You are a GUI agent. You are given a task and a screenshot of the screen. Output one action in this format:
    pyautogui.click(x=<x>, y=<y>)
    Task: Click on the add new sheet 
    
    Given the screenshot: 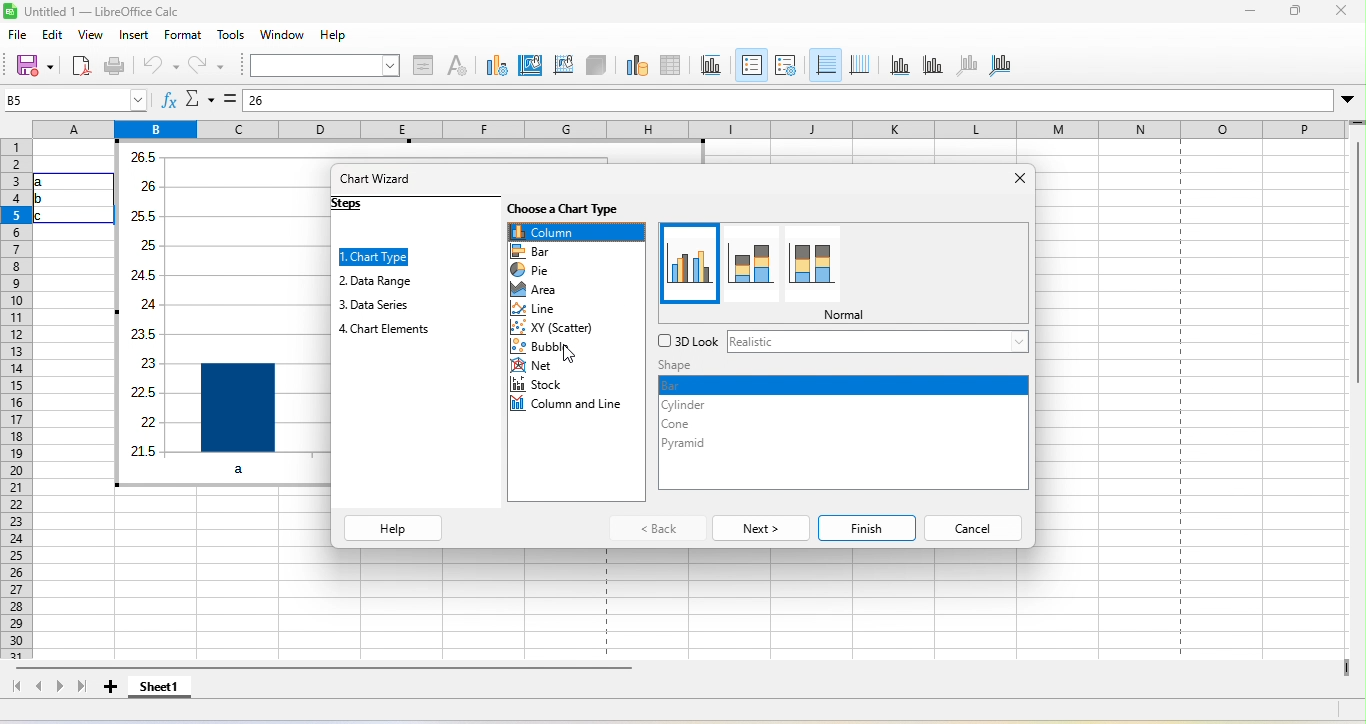 What is the action you would take?
    pyautogui.click(x=111, y=692)
    